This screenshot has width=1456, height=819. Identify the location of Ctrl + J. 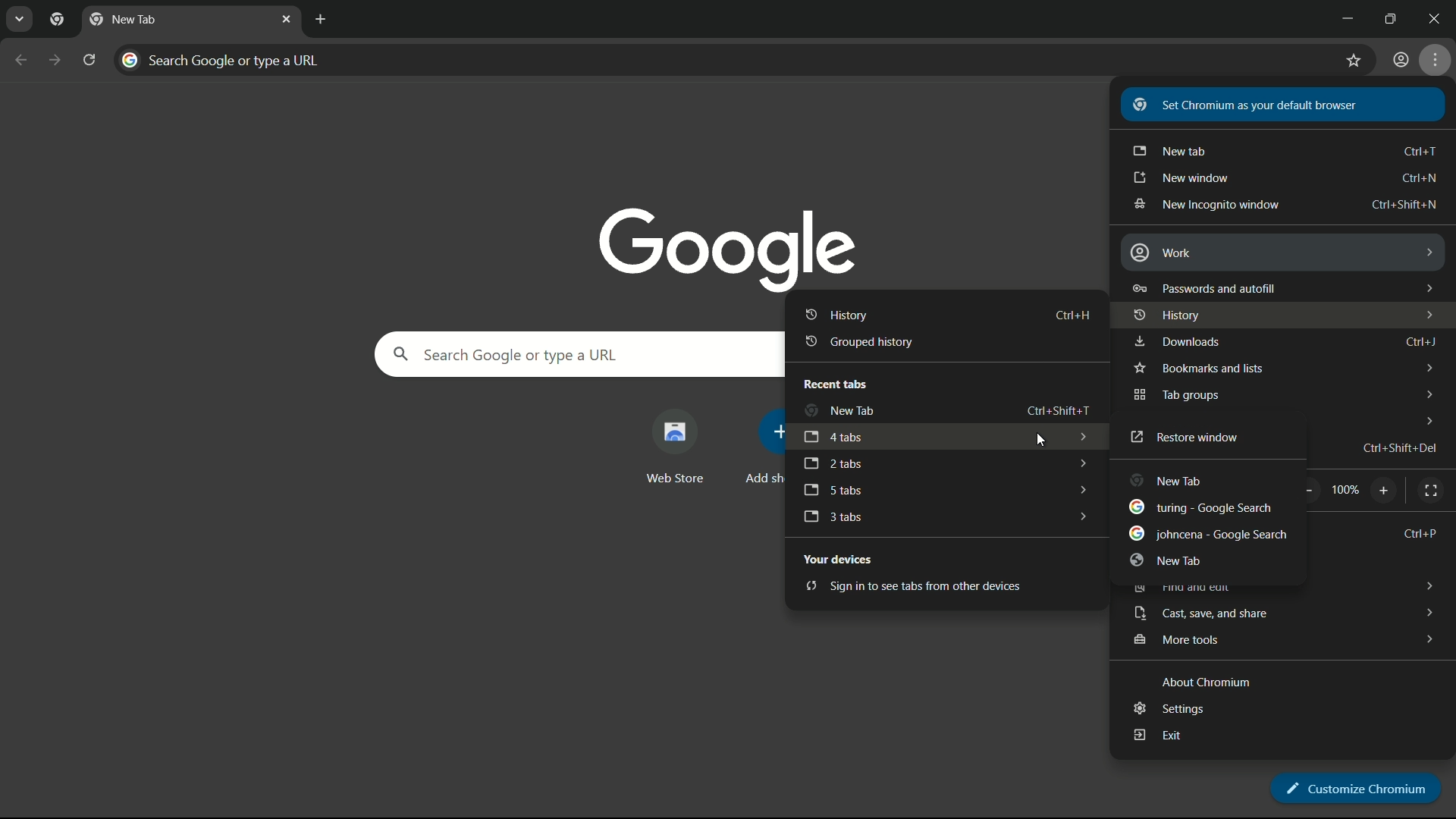
(1423, 342).